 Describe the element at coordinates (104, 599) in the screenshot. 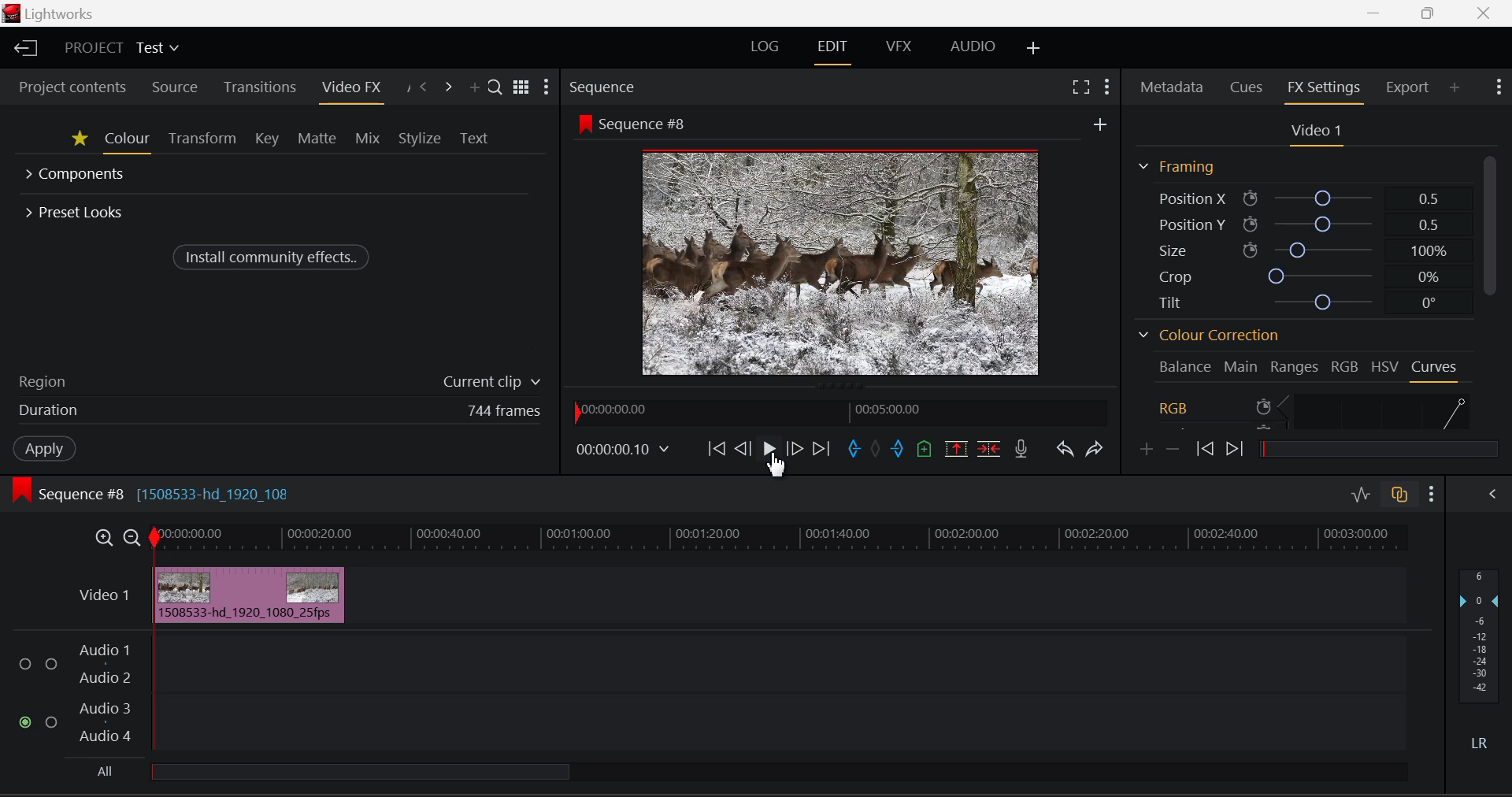

I see `Video Layer` at that location.